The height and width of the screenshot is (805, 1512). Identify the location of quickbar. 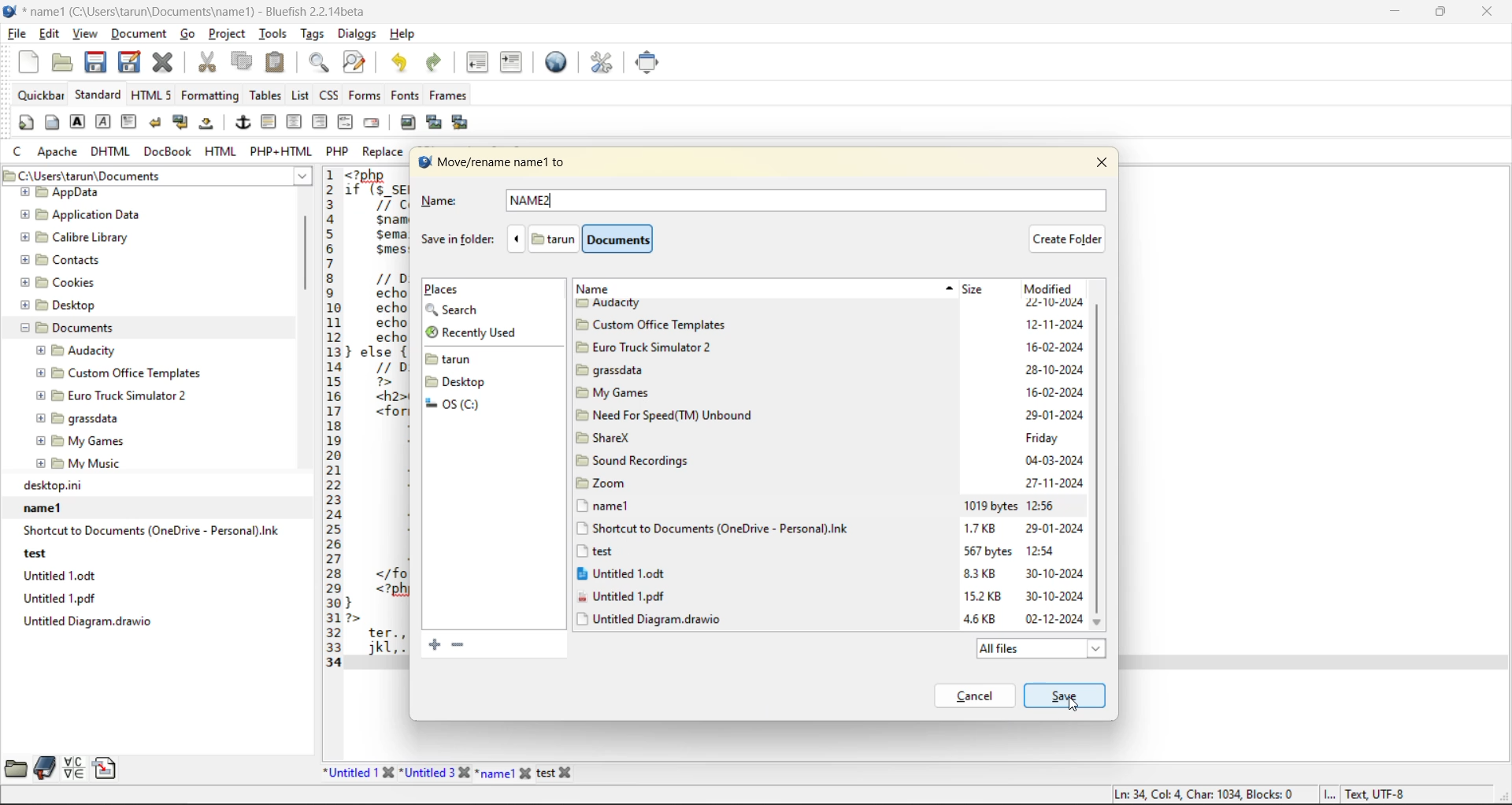
(39, 98).